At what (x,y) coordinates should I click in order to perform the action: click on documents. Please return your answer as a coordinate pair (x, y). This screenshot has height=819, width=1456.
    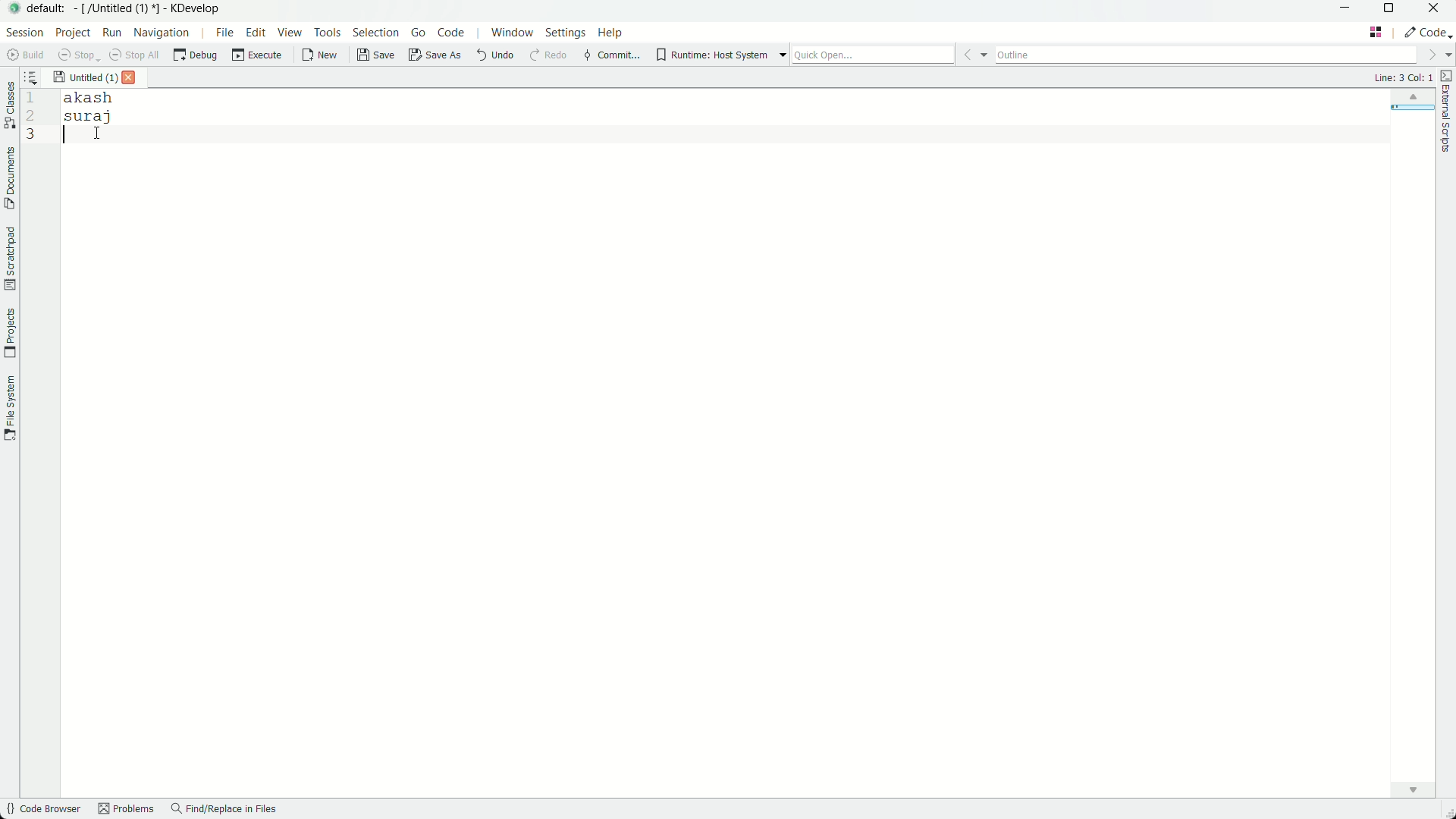
    Looking at the image, I should click on (9, 178).